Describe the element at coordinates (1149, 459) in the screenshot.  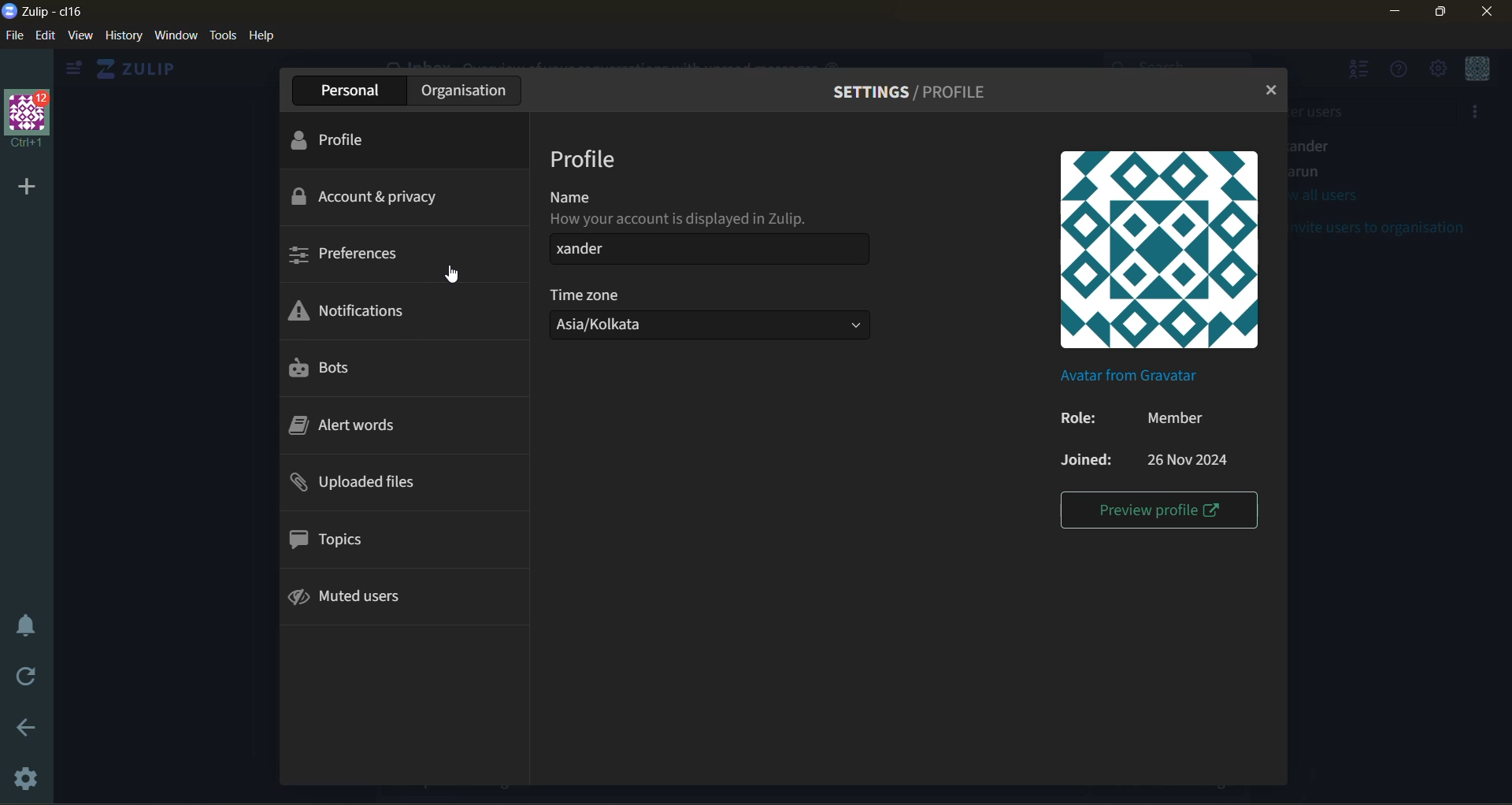
I see `joined` at that location.